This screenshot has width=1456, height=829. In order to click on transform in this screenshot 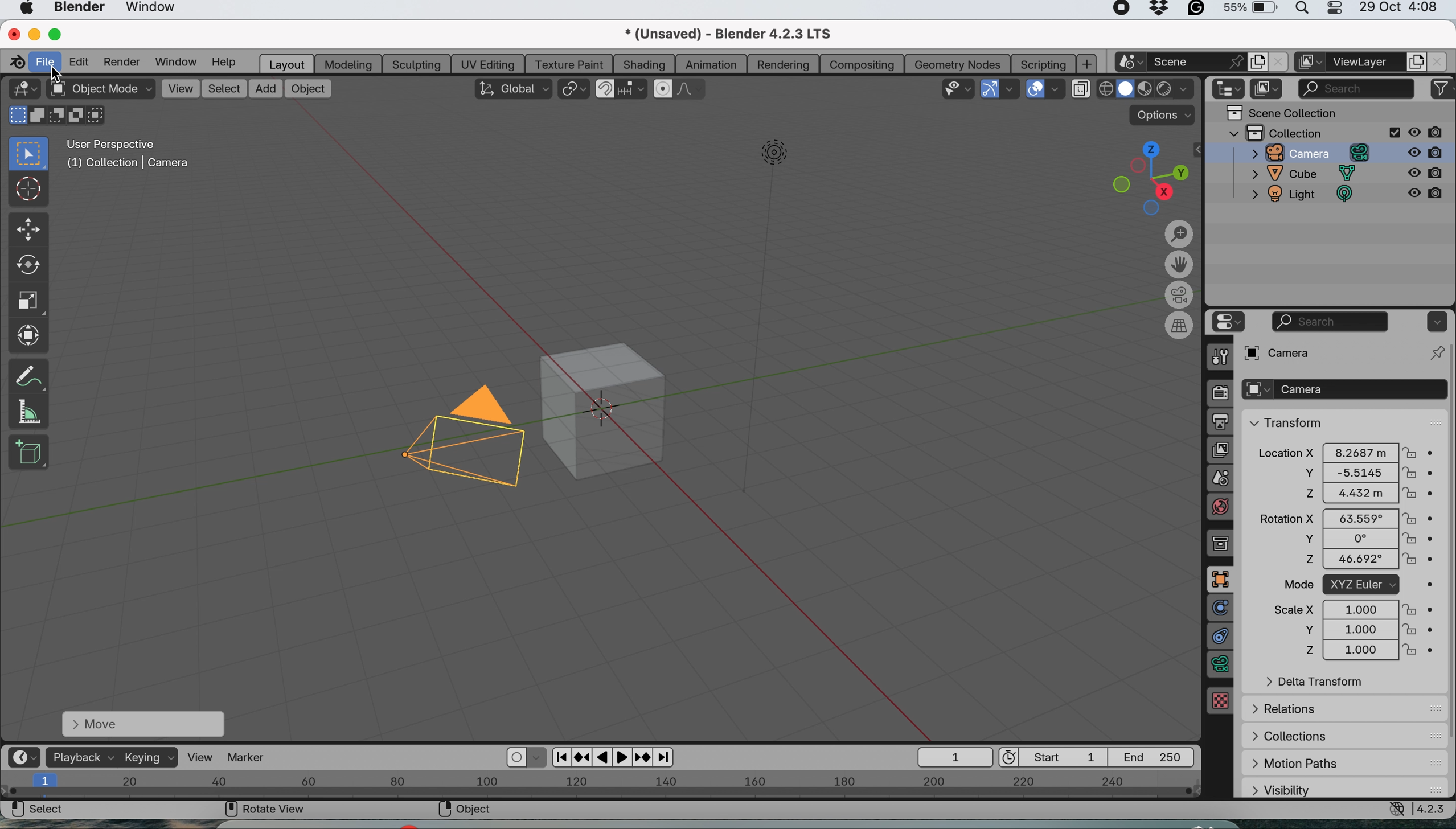, I will do `click(1283, 421)`.